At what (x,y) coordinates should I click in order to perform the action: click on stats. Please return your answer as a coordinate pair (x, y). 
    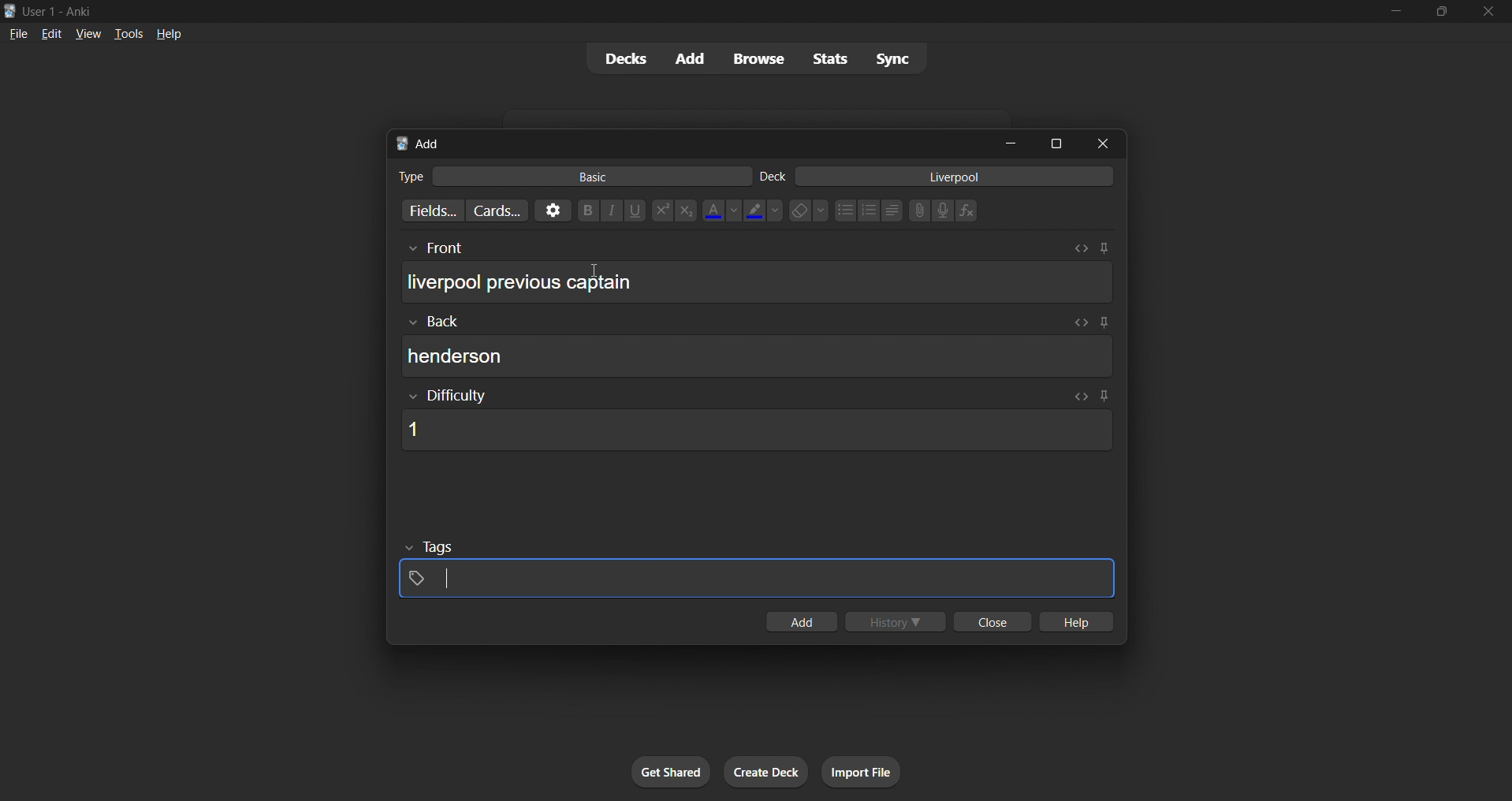
    Looking at the image, I should click on (833, 58).